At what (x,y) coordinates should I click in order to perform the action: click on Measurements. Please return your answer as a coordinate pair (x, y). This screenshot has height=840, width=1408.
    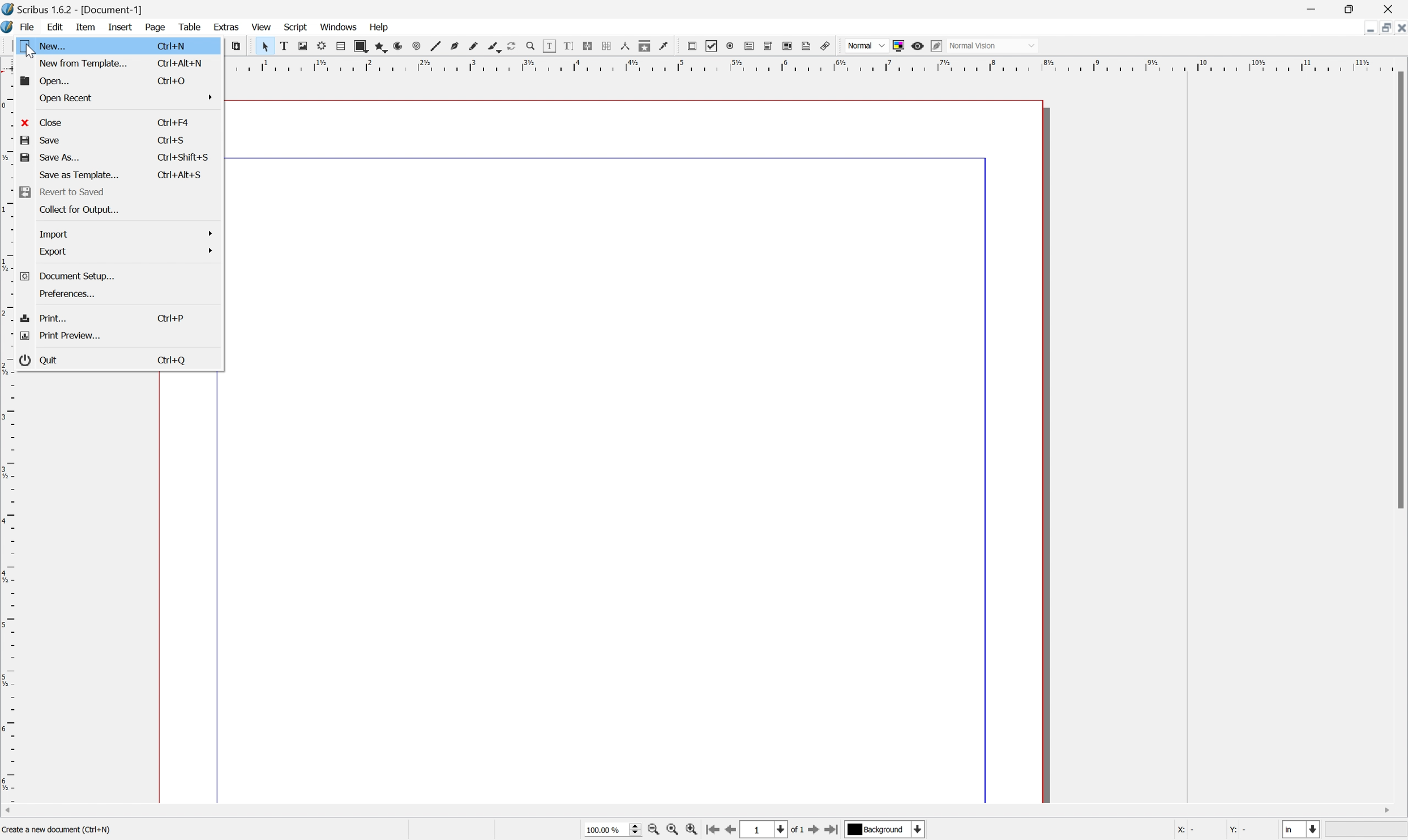
    Looking at the image, I should click on (627, 47).